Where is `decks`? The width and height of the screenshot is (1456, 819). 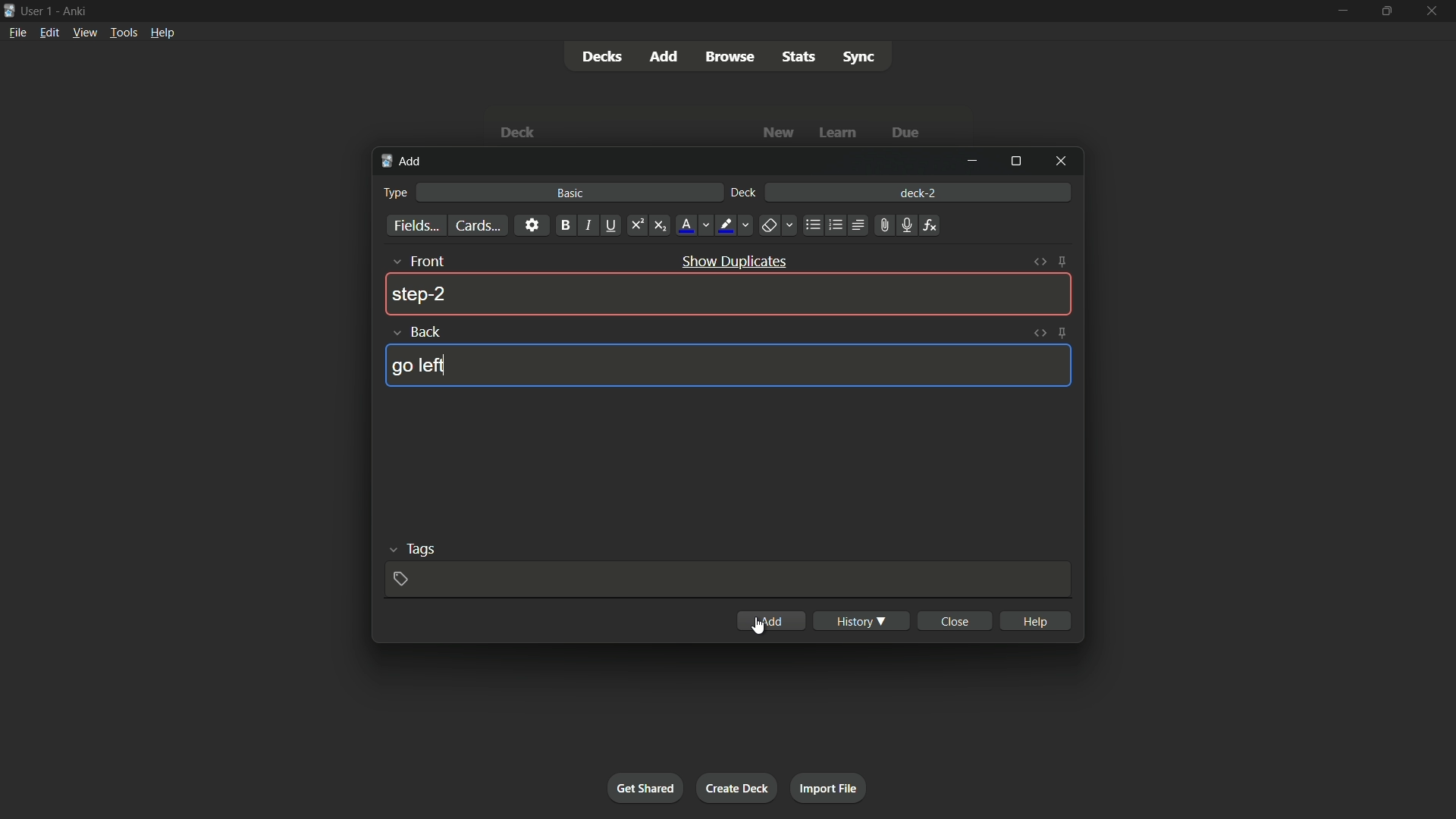 decks is located at coordinates (600, 56).